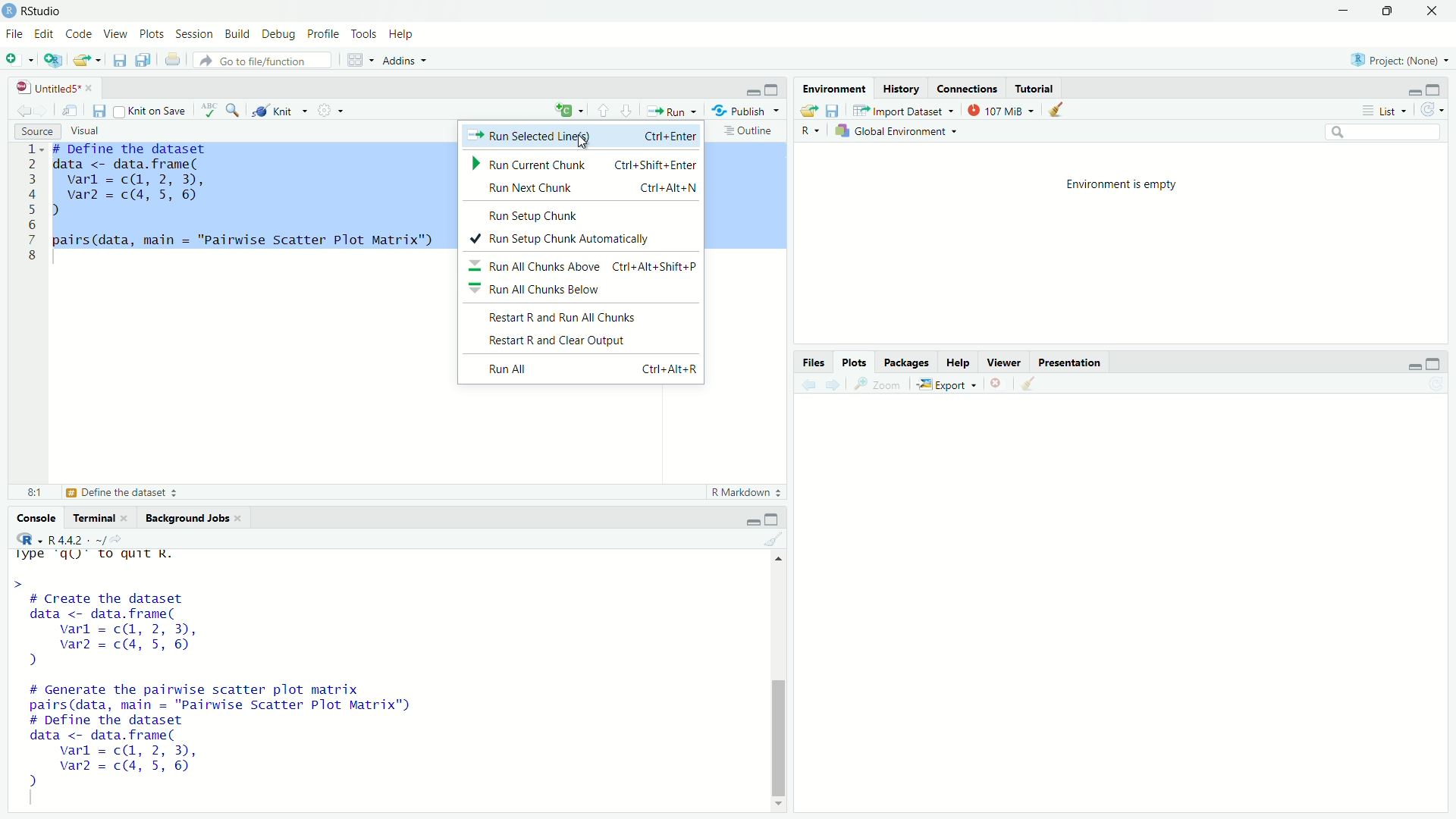  Describe the element at coordinates (79, 34) in the screenshot. I see `Code` at that location.